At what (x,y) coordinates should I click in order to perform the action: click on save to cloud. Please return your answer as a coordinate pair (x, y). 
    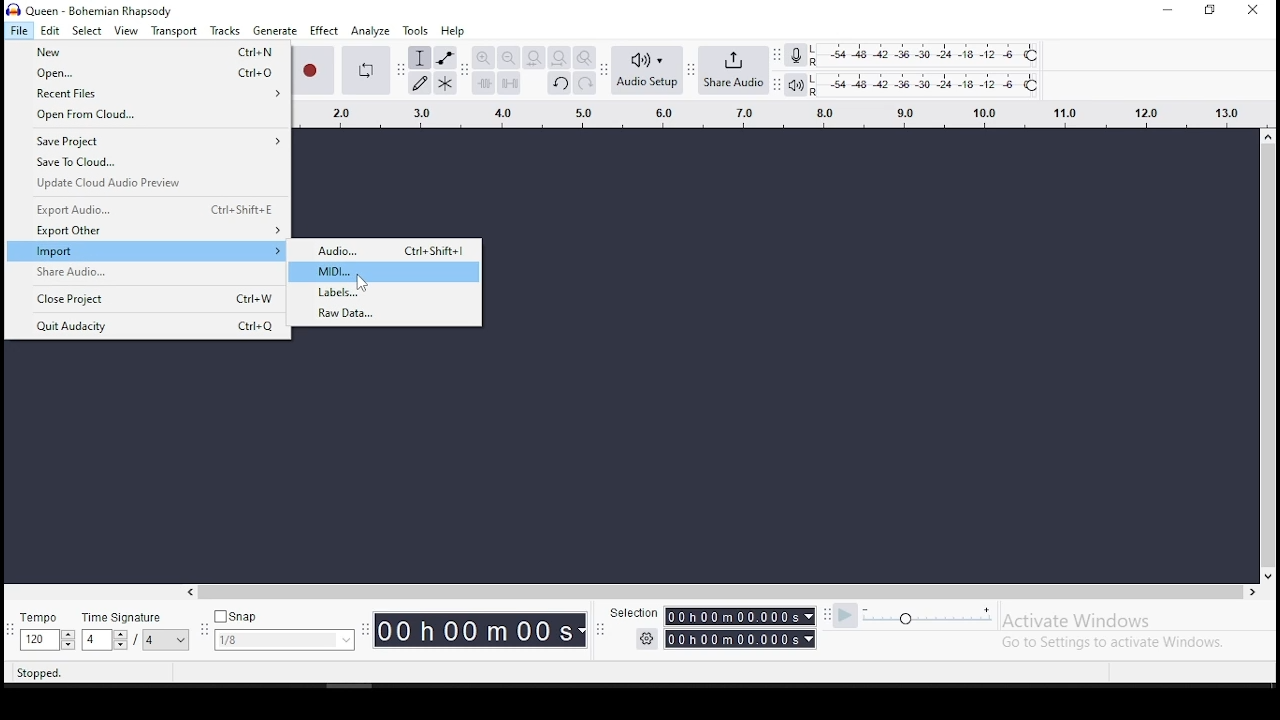
    Looking at the image, I should click on (147, 164).